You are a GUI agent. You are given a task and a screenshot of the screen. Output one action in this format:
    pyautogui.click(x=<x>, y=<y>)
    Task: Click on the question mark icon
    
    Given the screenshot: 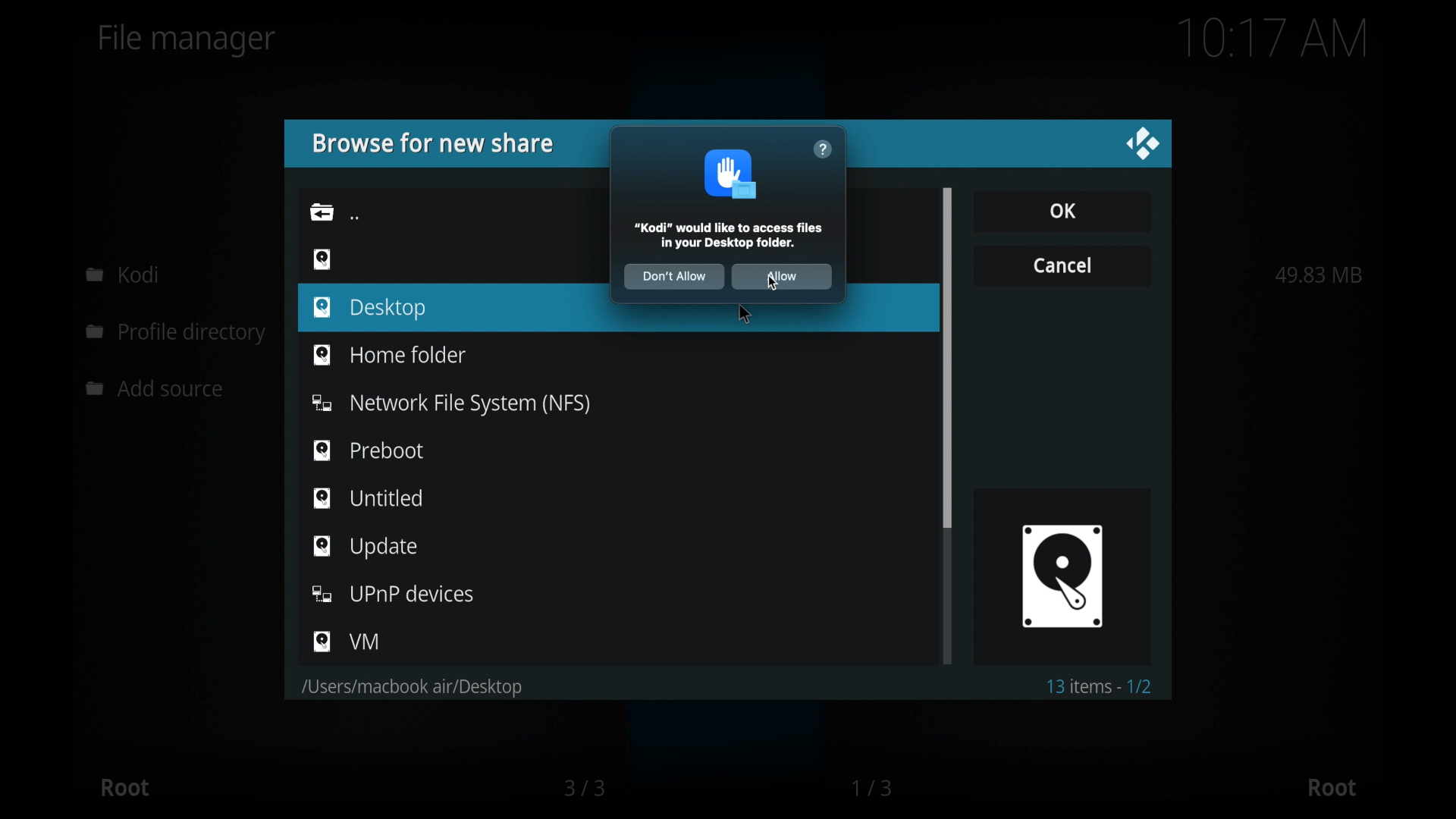 What is the action you would take?
    pyautogui.click(x=823, y=149)
    